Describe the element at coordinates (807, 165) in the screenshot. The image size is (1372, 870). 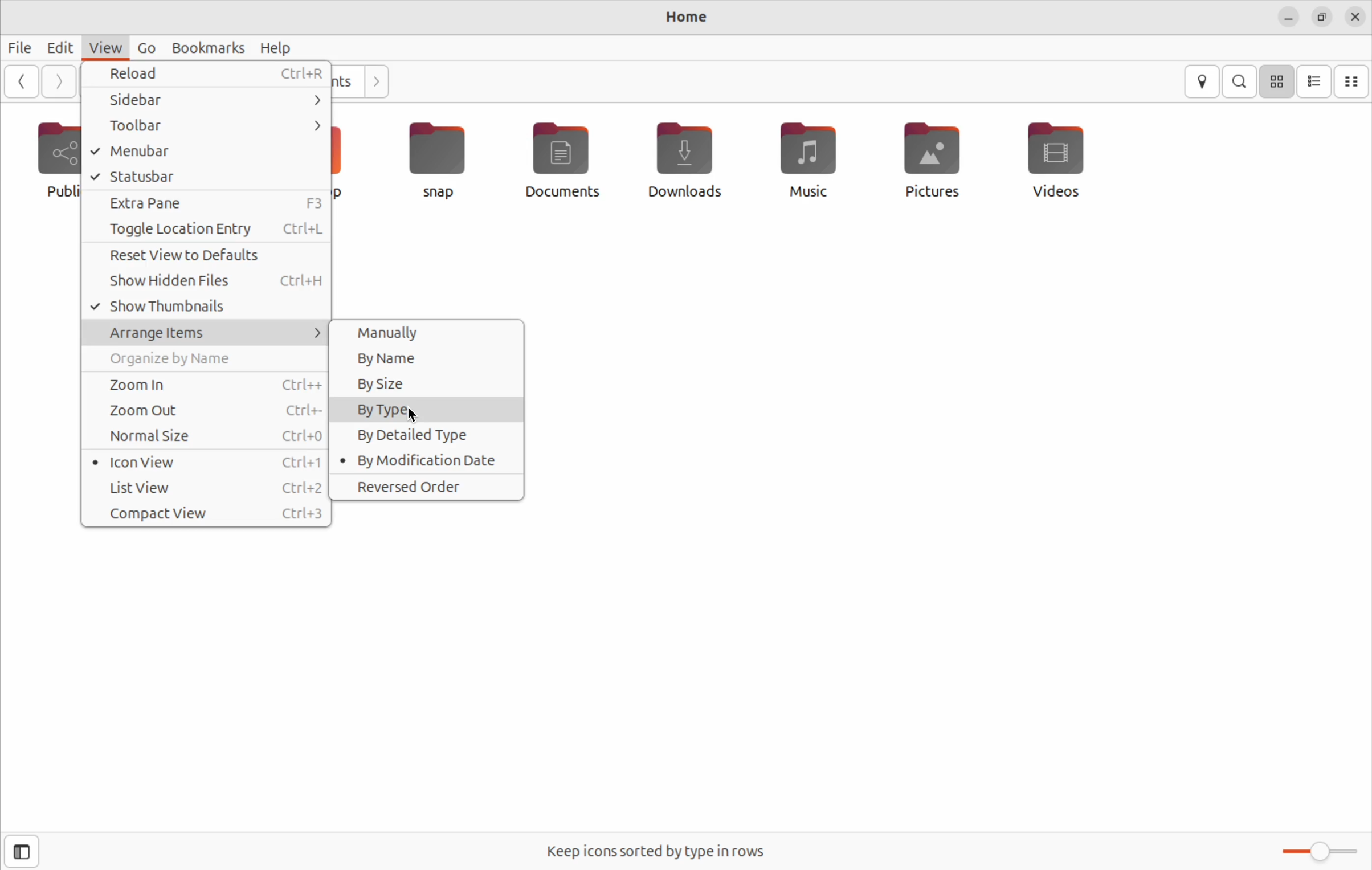
I see `music` at that location.